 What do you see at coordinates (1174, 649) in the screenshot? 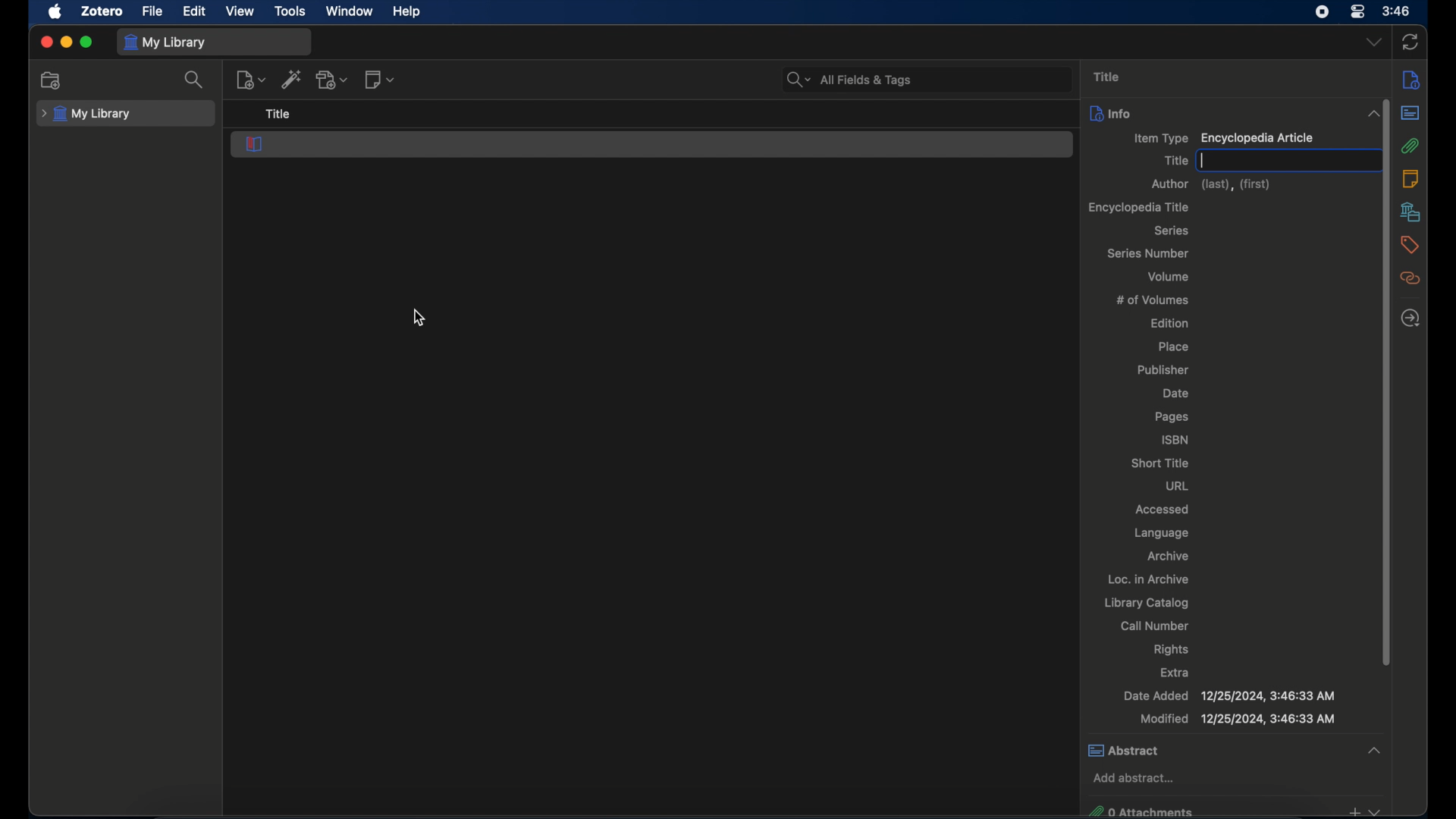
I see `rights` at bounding box center [1174, 649].